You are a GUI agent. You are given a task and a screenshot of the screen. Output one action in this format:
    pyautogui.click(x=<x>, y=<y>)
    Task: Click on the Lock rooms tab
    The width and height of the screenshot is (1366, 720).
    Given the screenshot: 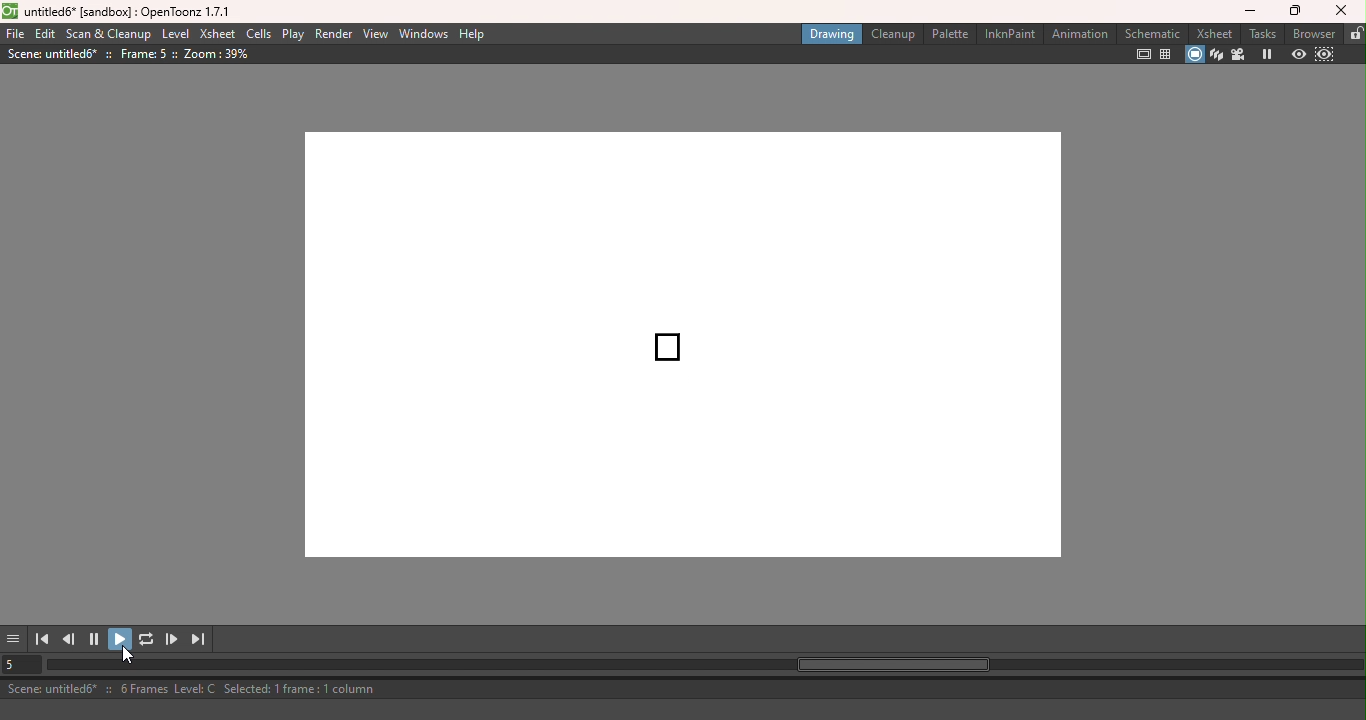 What is the action you would take?
    pyautogui.click(x=1353, y=33)
    